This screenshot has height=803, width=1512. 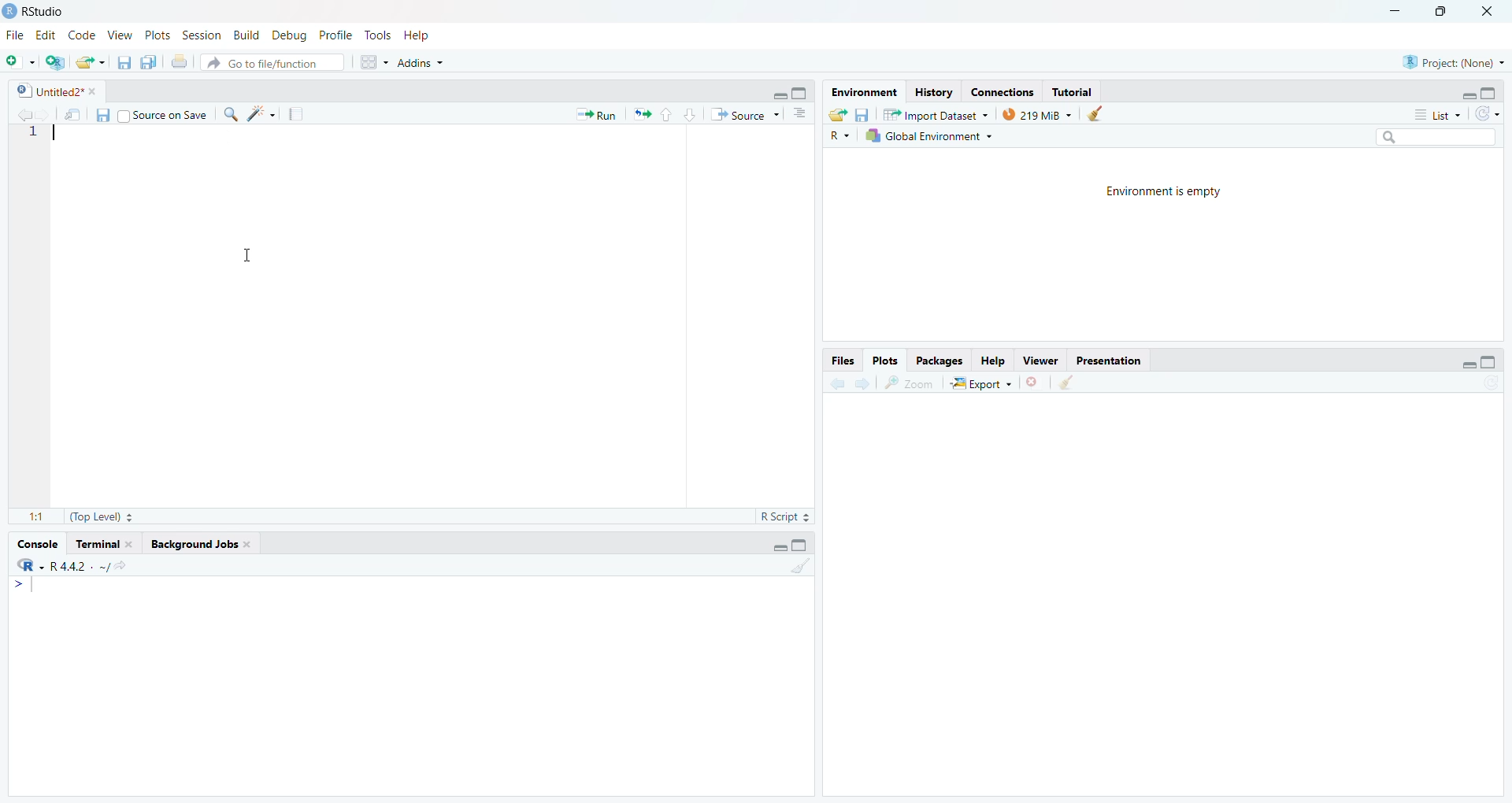 What do you see at coordinates (1109, 361) in the screenshot?
I see `Presentation` at bounding box center [1109, 361].